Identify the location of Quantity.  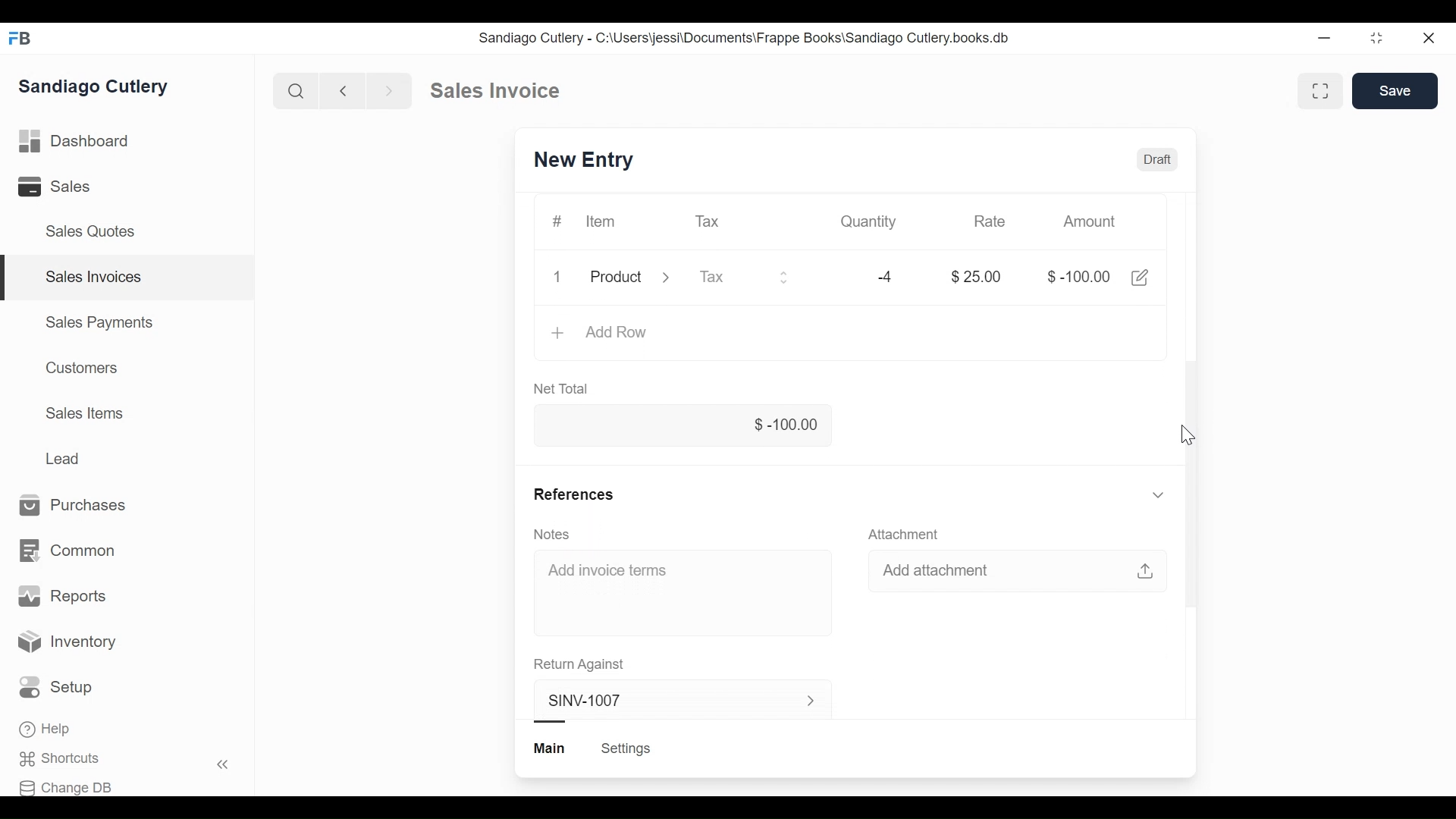
(871, 221).